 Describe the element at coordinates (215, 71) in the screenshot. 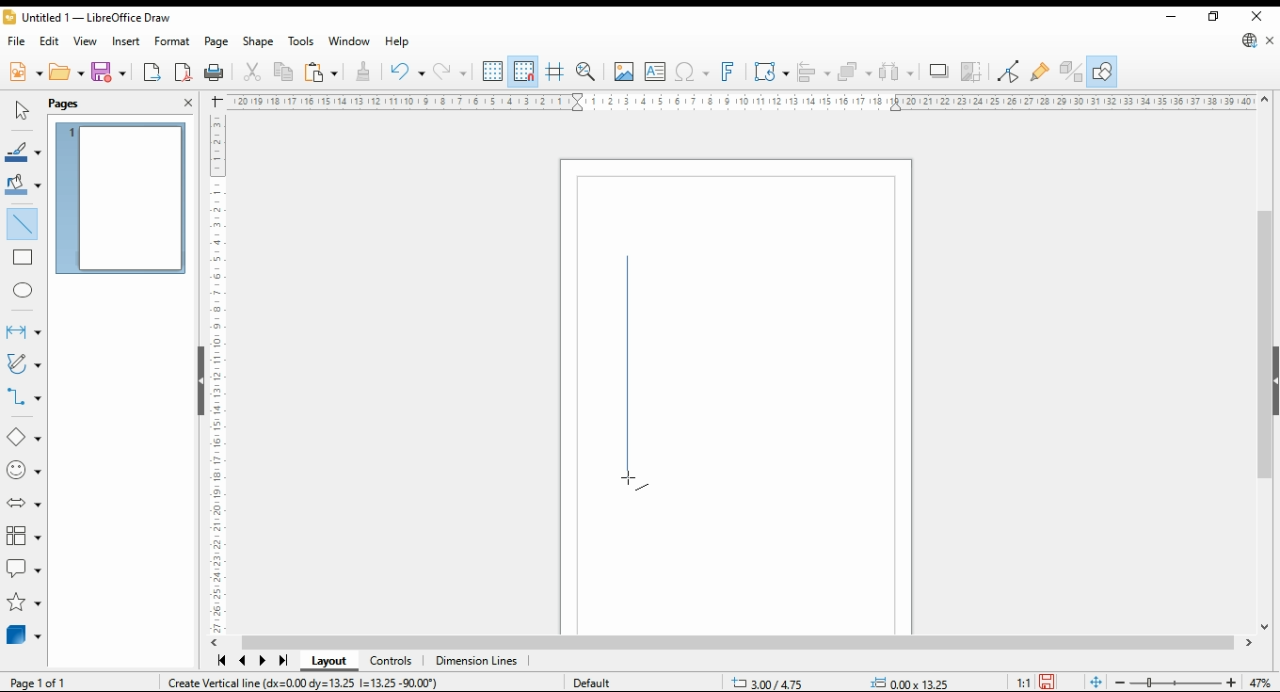

I see `print` at that location.